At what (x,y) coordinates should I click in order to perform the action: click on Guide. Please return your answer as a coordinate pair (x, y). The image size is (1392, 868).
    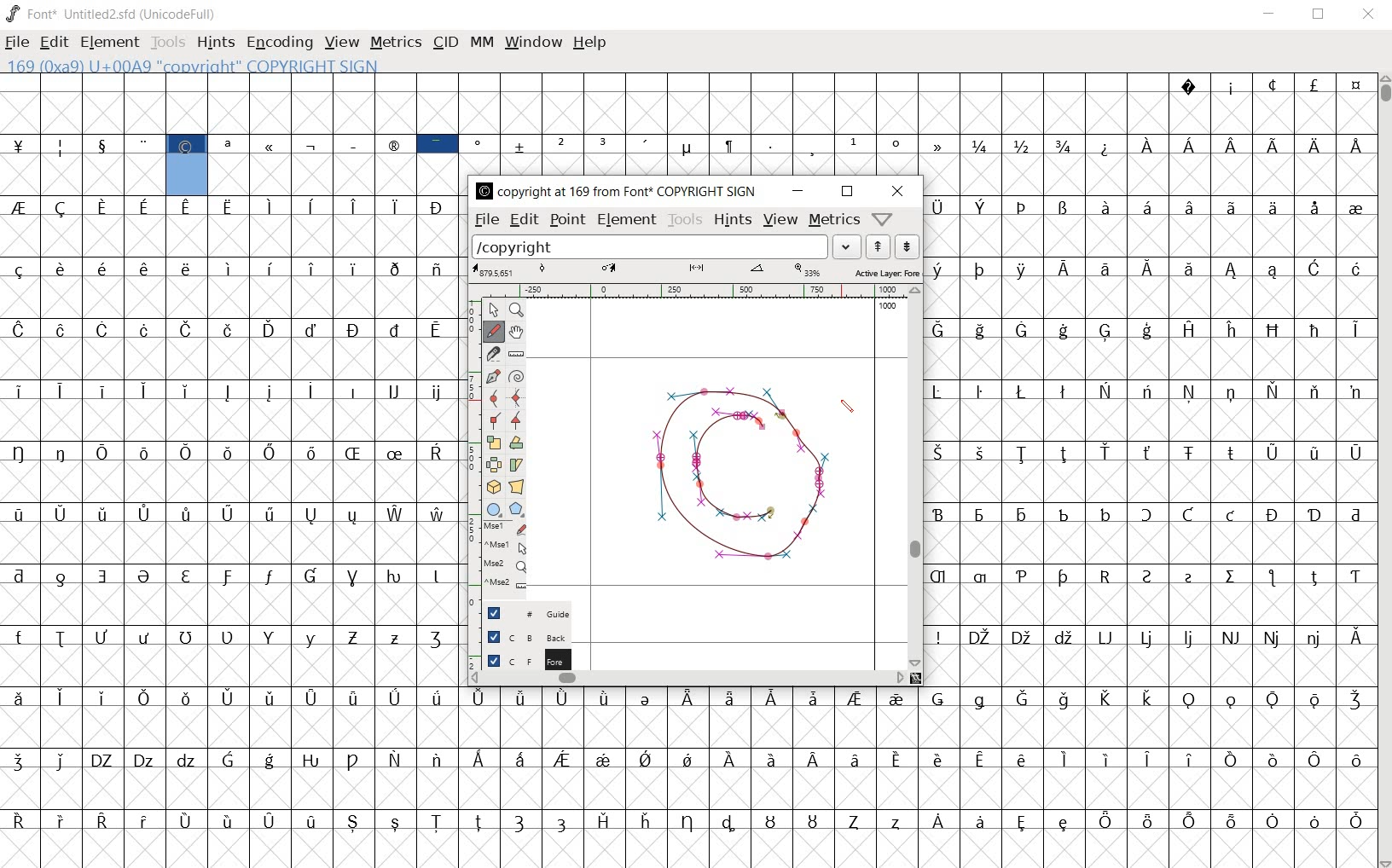
    Looking at the image, I should click on (521, 613).